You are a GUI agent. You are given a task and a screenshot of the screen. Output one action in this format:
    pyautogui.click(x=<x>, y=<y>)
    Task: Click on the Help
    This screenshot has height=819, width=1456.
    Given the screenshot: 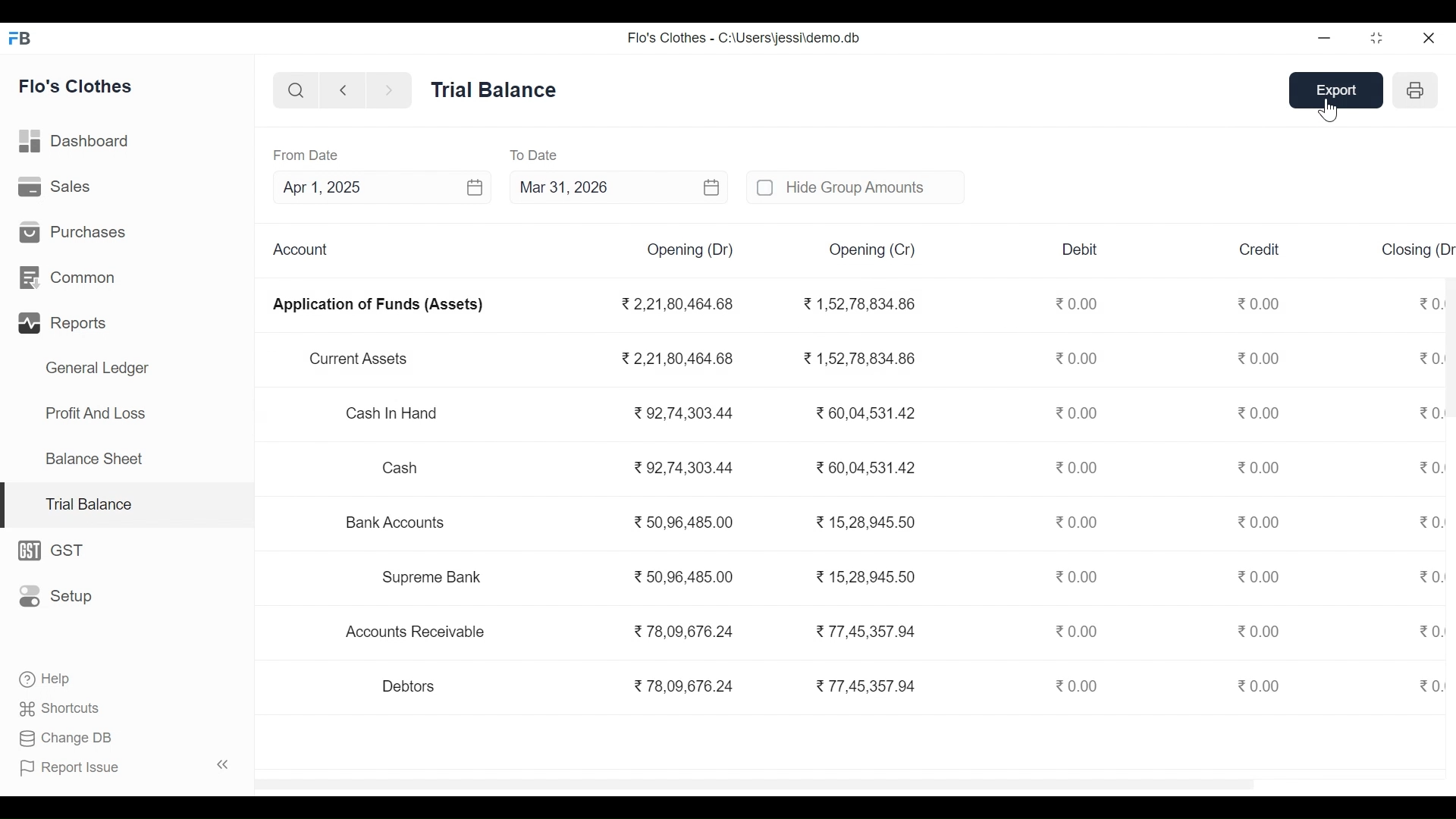 What is the action you would take?
    pyautogui.click(x=42, y=677)
    